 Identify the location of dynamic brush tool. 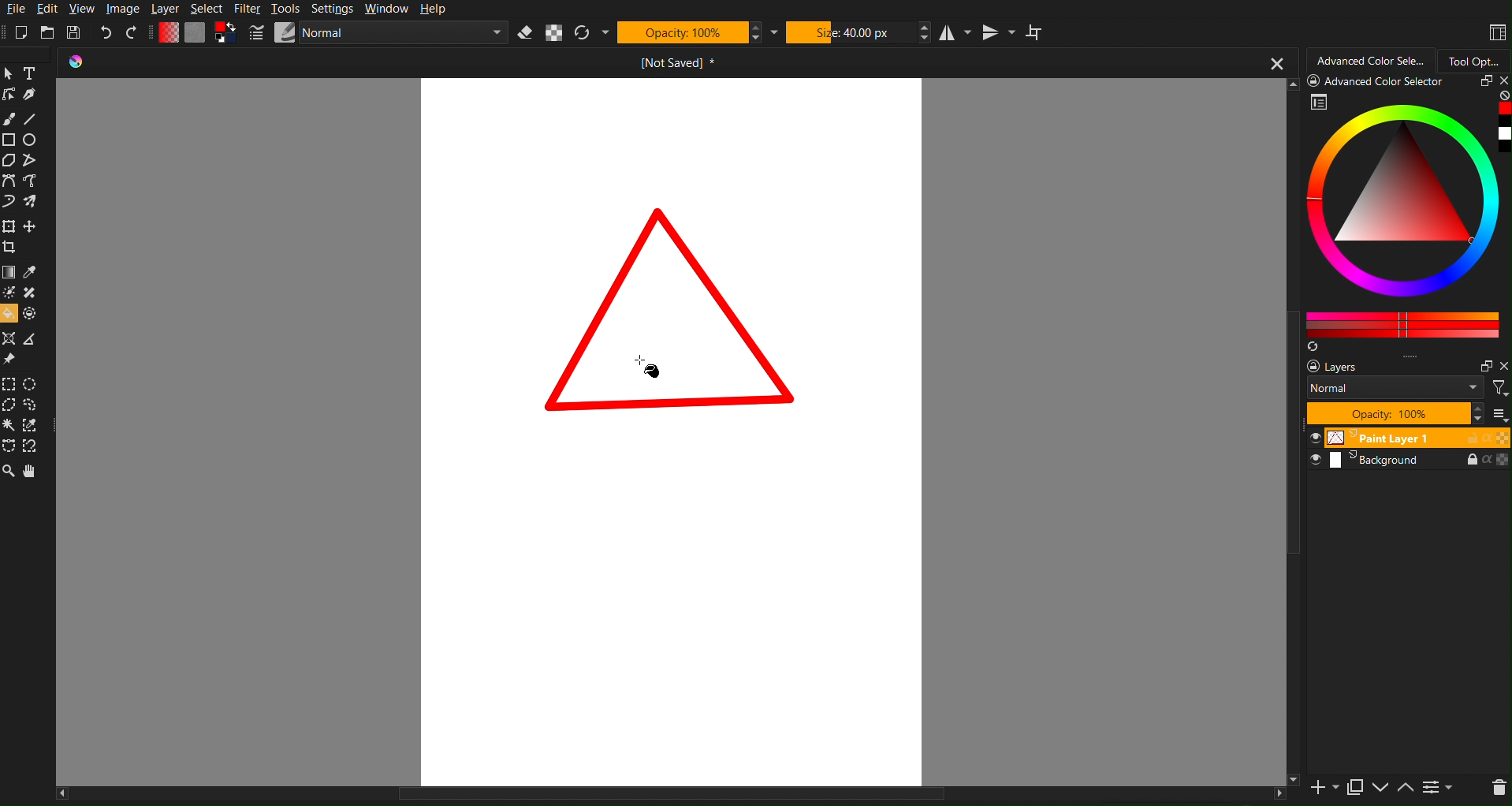
(9, 202).